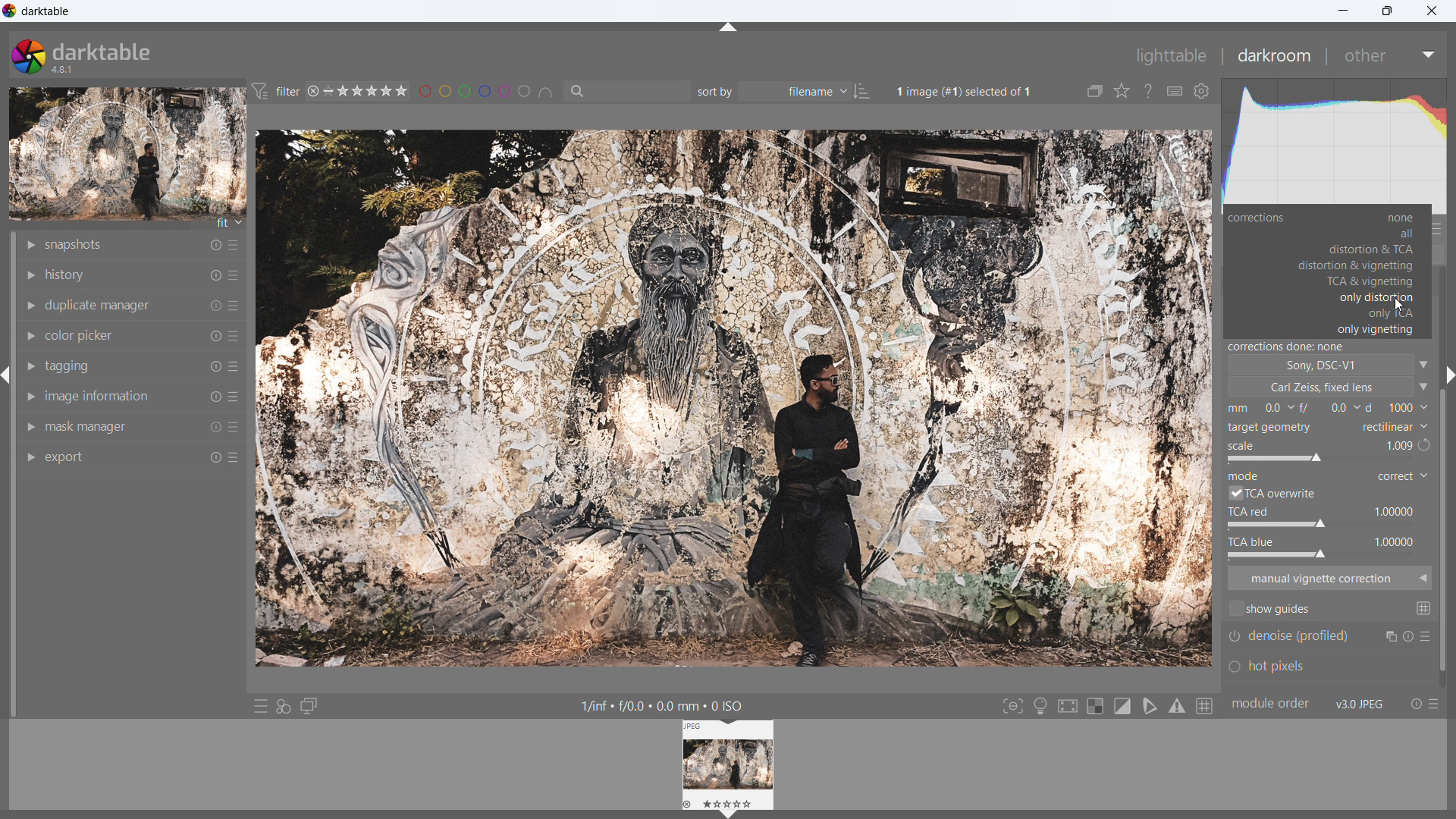 Image resolution: width=1456 pixels, height=819 pixels. I want to click on change global guide settings, so click(1424, 607).